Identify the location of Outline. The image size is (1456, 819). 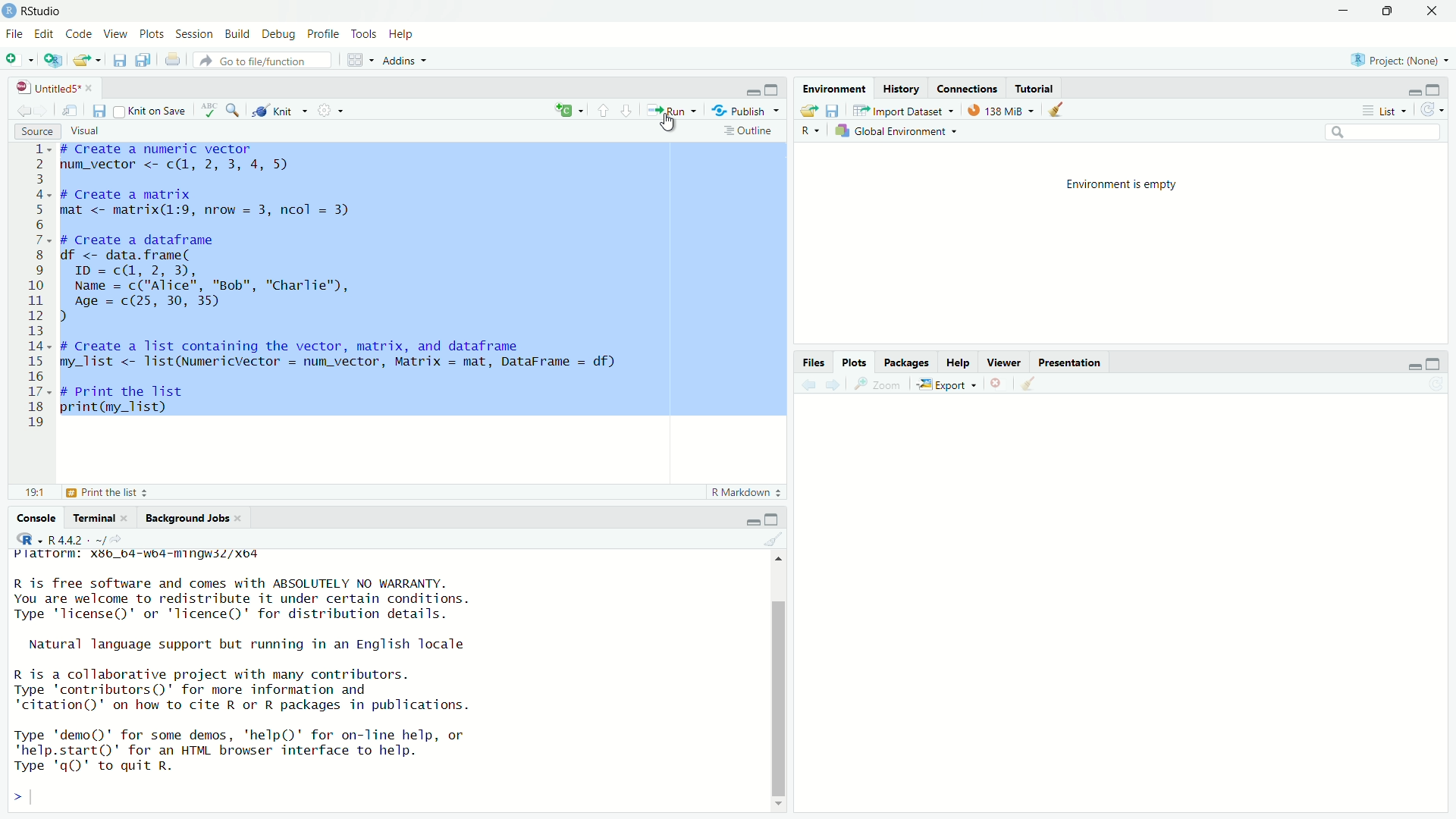
(749, 133).